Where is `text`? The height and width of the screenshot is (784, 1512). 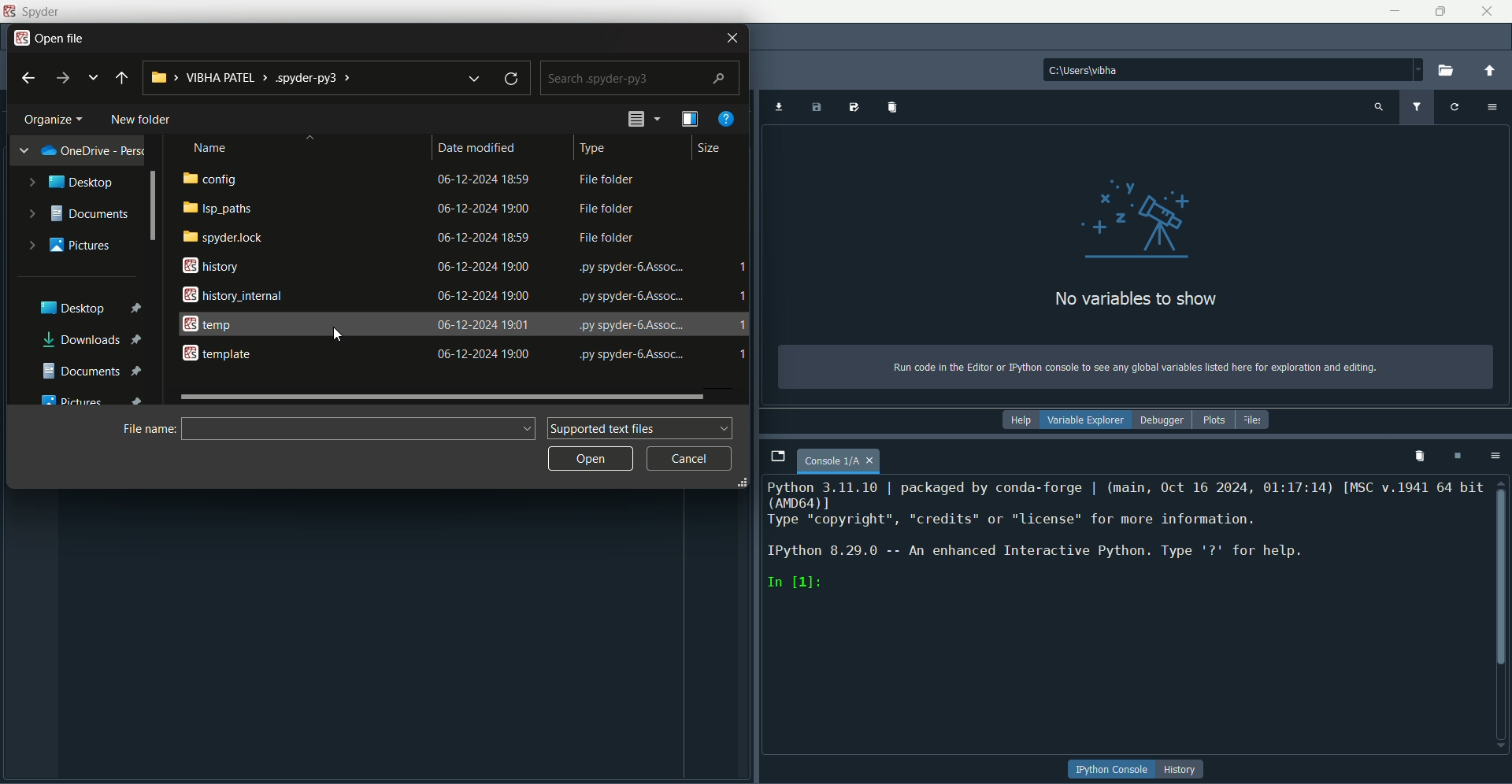
text is located at coordinates (608, 209).